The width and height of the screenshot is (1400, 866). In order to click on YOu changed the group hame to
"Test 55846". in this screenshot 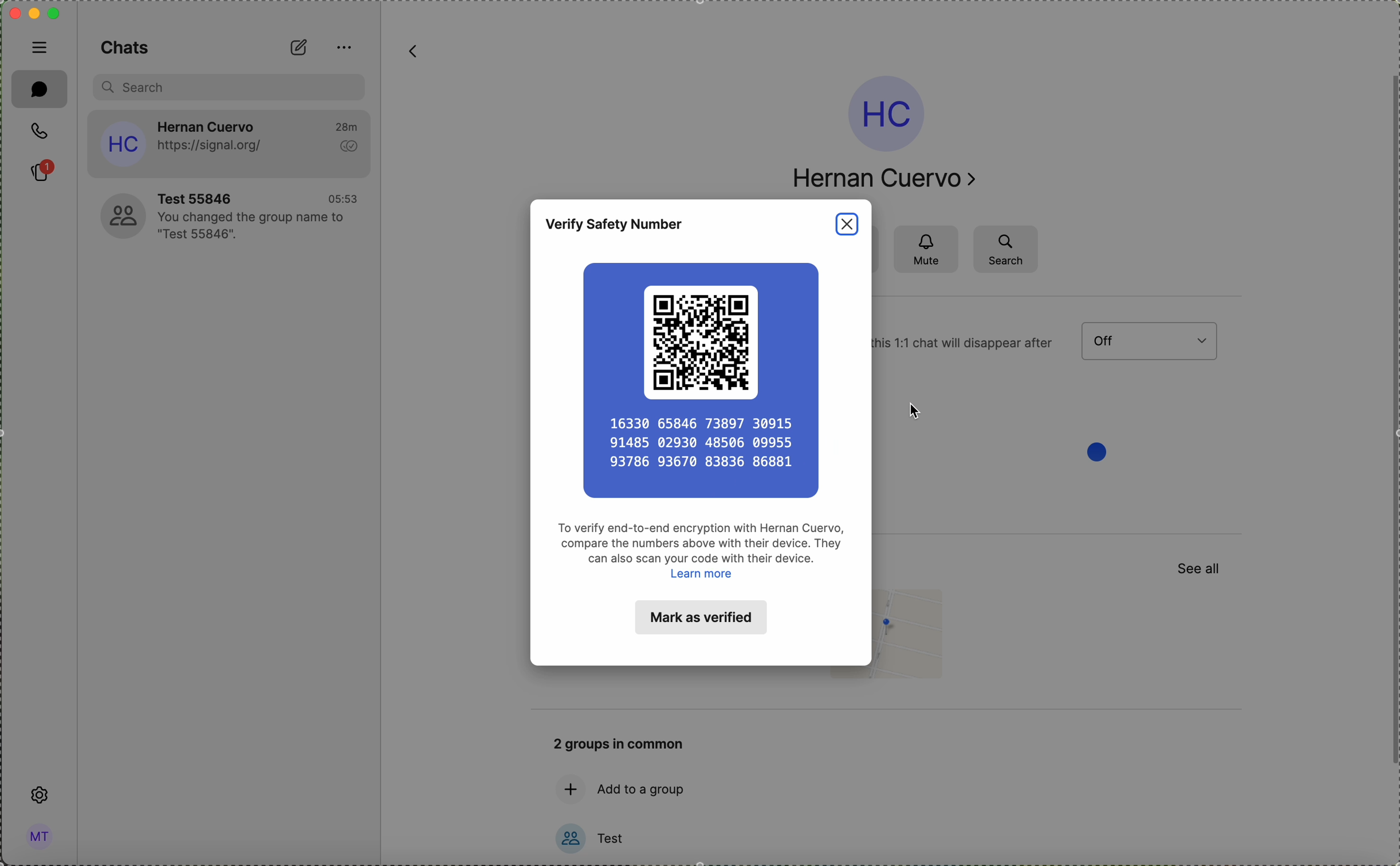, I will do `click(254, 227)`.